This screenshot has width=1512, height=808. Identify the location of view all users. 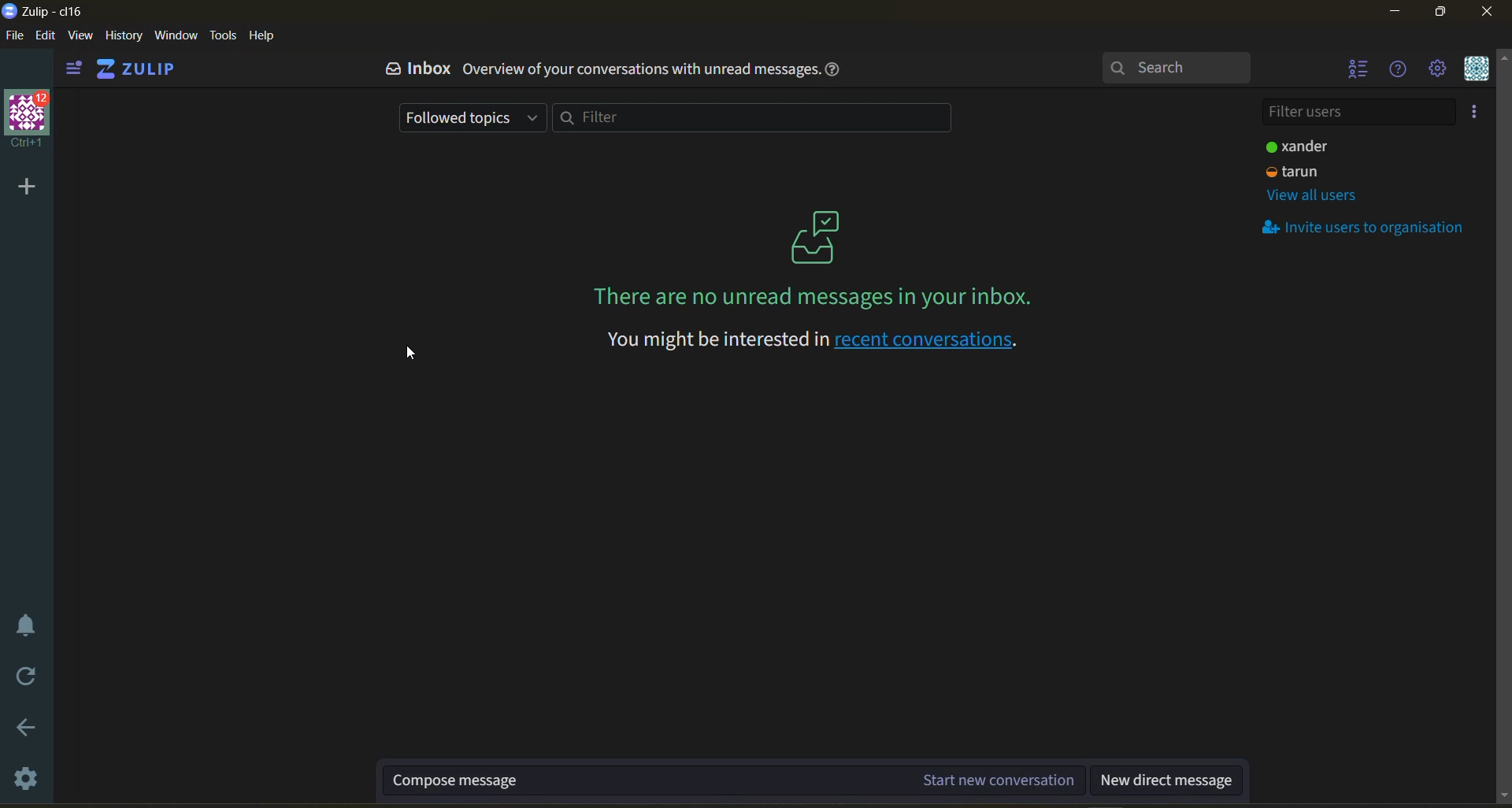
(1314, 195).